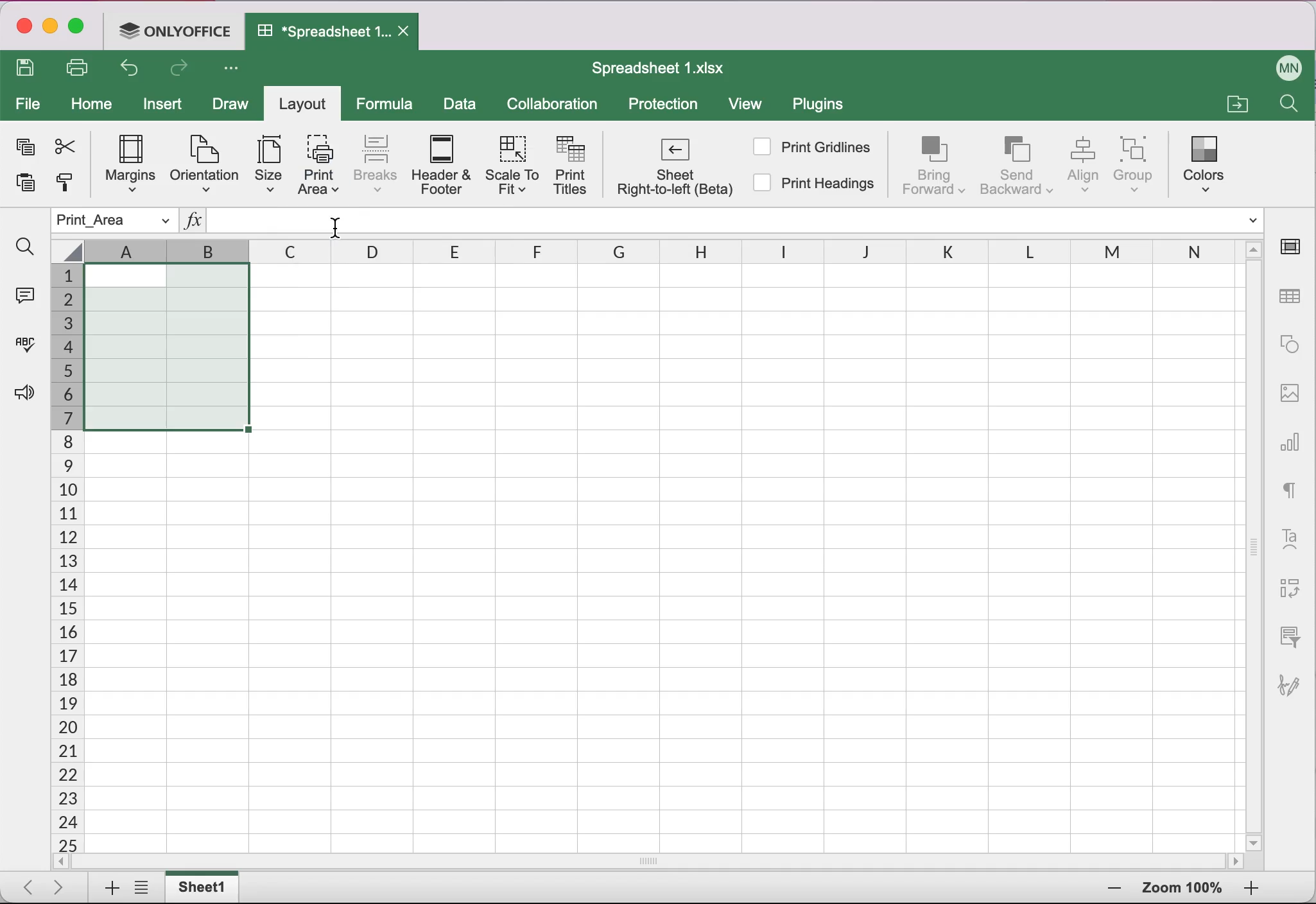 This screenshot has height=904, width=1316. What do you see at coordinates (134, 71) in the screenshot?
I see `undo` at bounding box center [134, 71].